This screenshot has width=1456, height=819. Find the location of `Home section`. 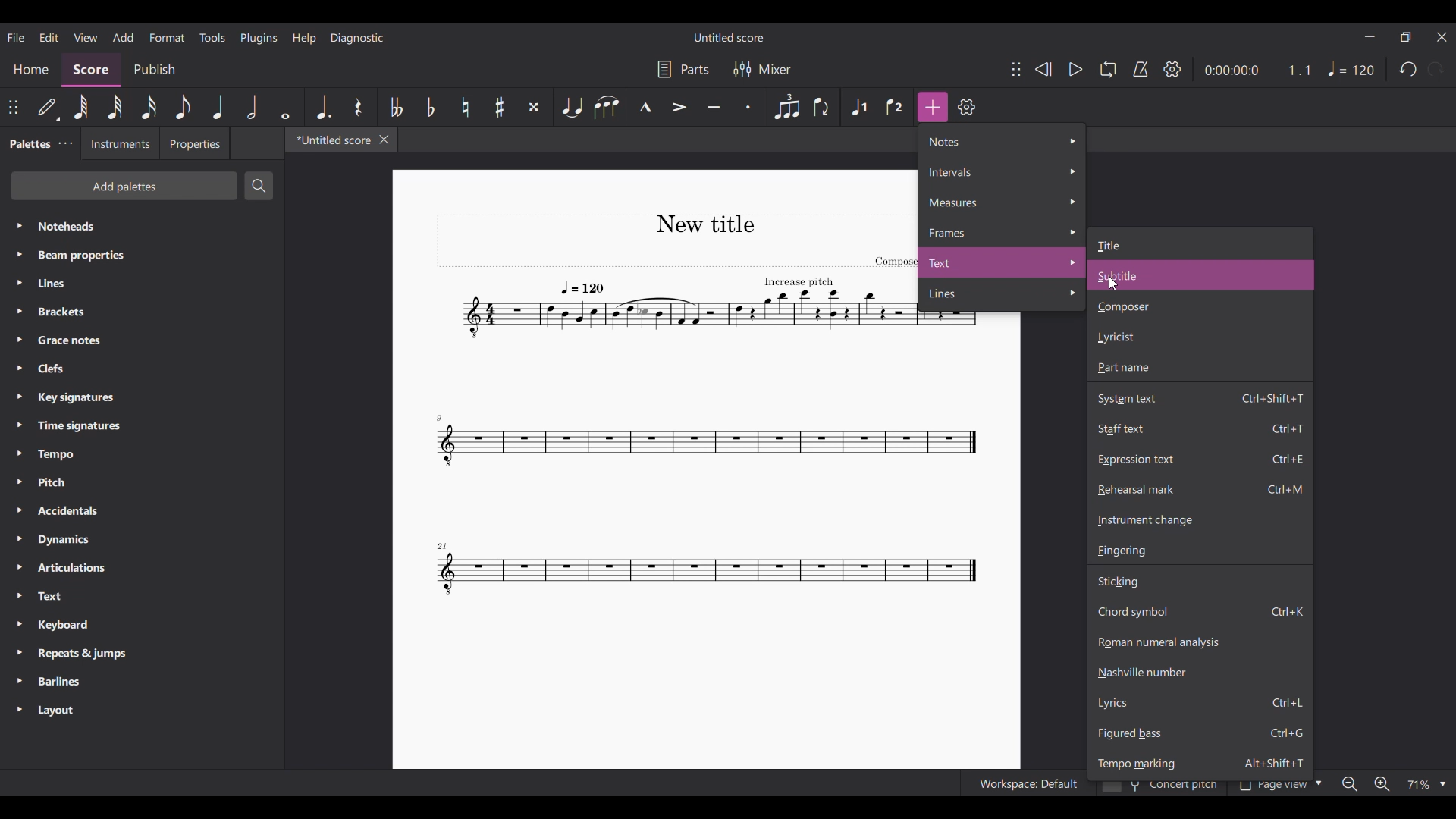

Home section is located at coordinates (30, 70).